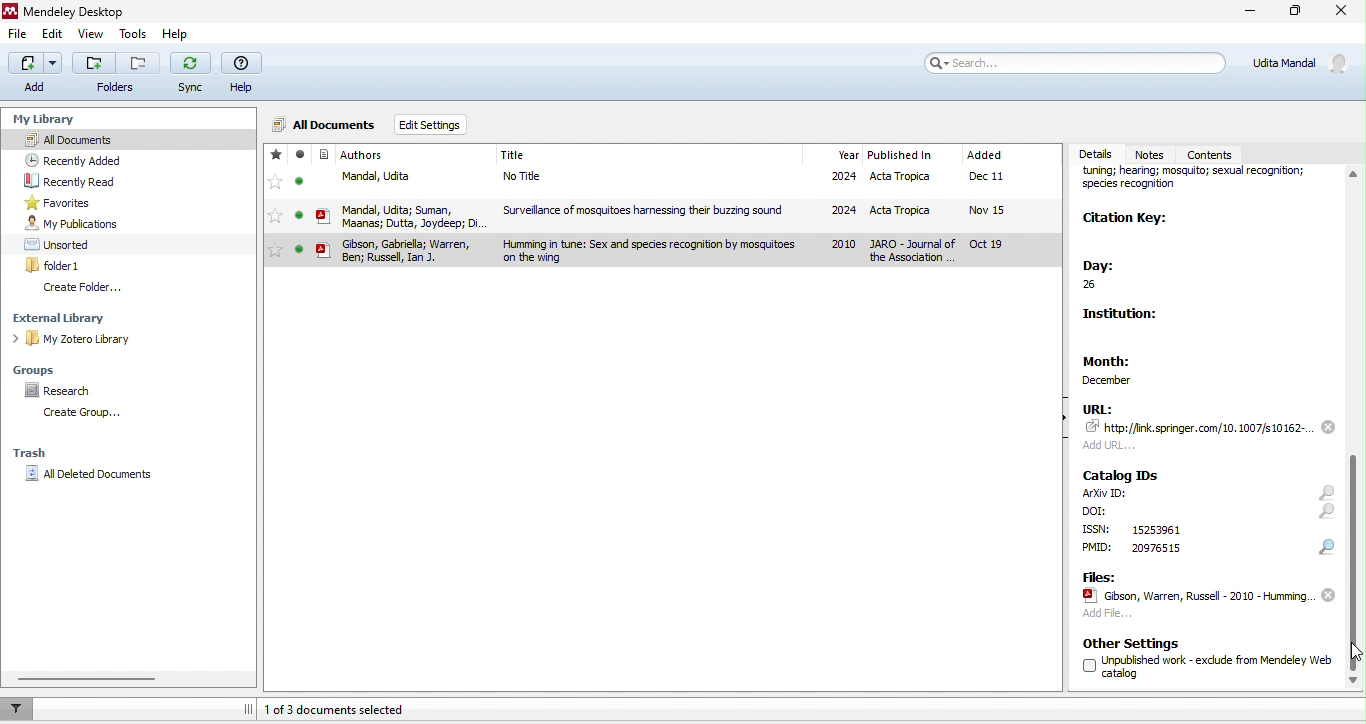 The height and width of the screenshot is (724, 1366). Describe the element at coordinates (1196, 596) in the screenshot. I see `file` at that location.